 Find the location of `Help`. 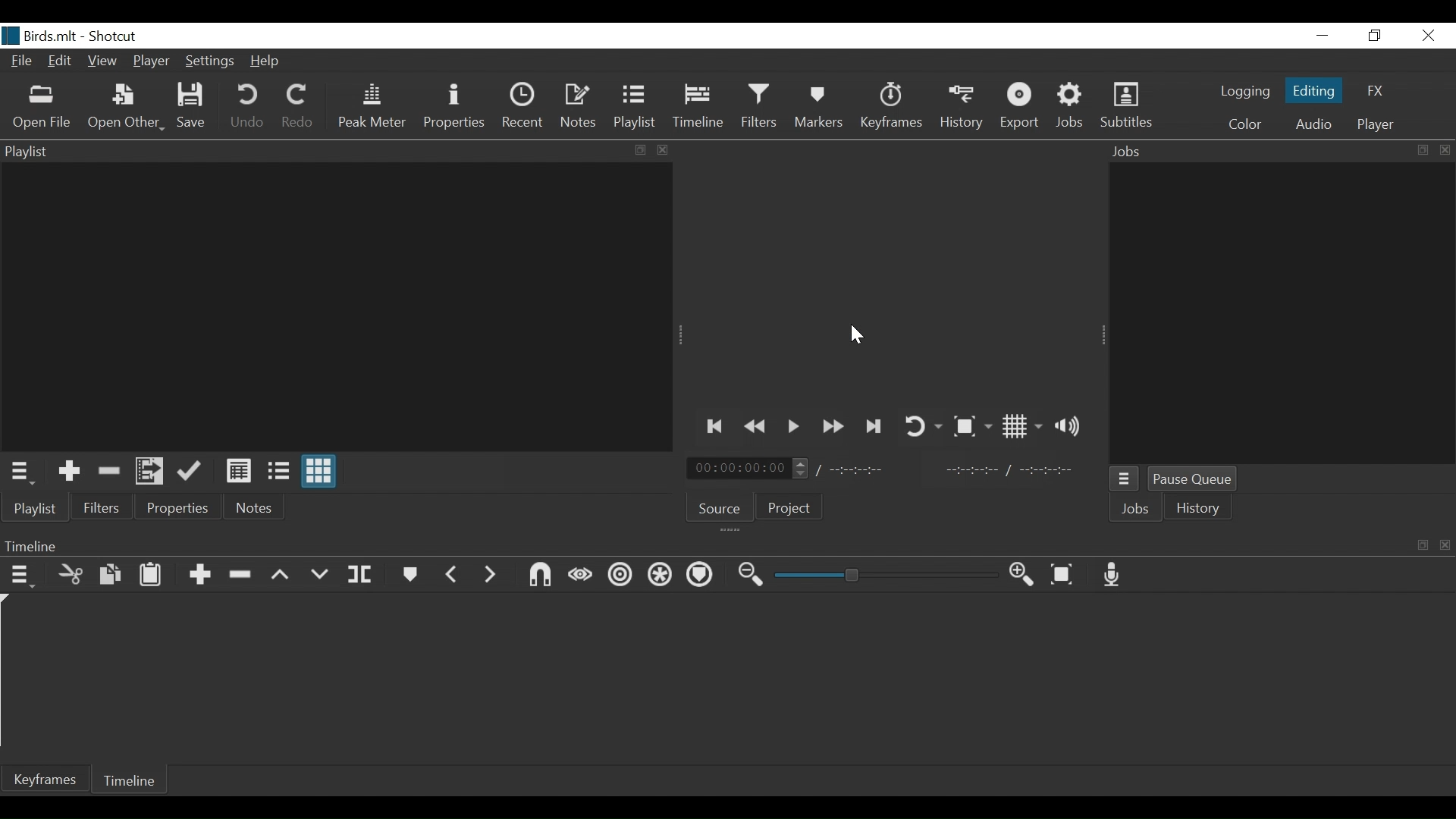

Help is located at coordinates (268, 61).